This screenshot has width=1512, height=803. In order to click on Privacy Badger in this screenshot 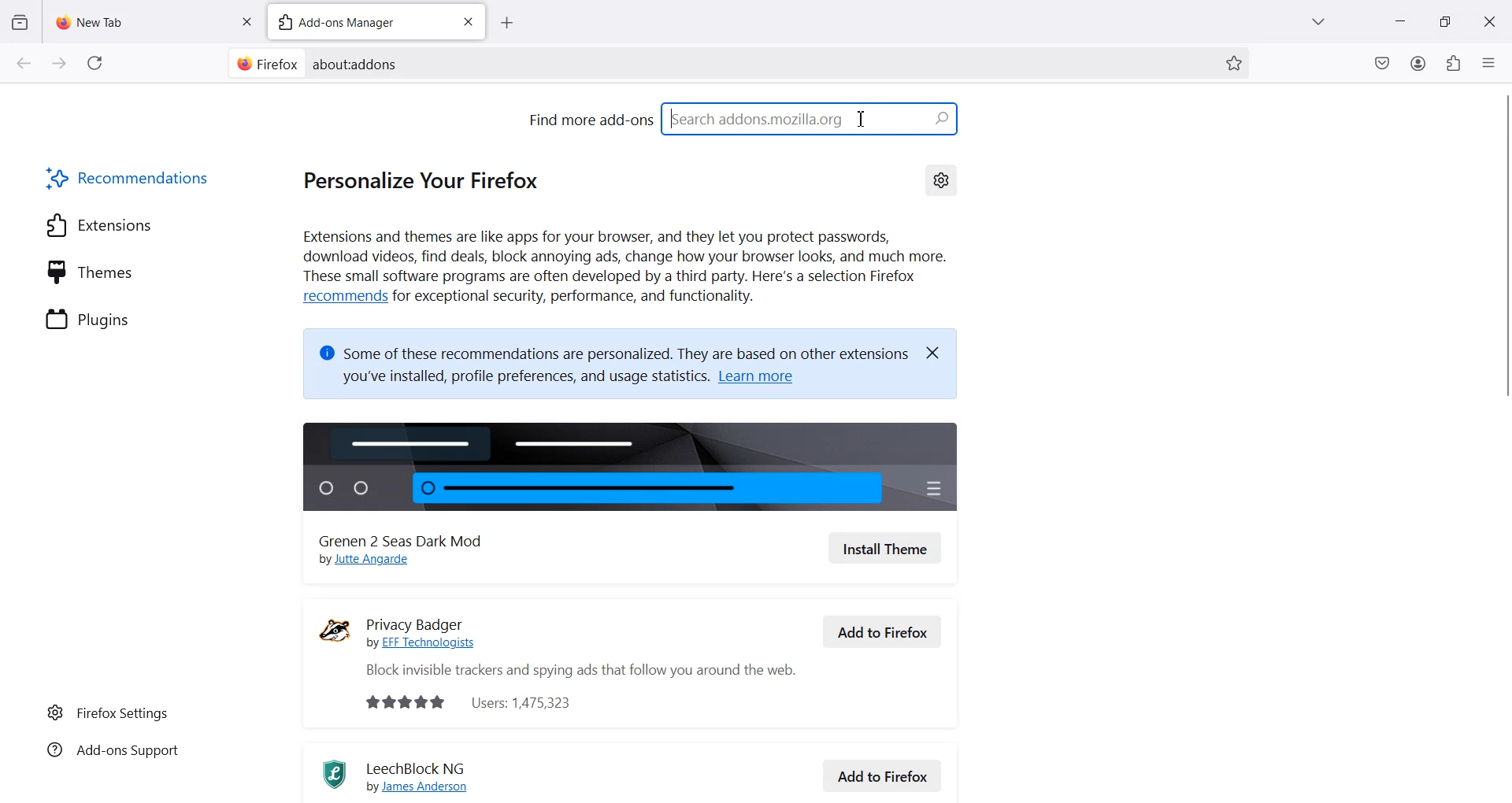, I will do `click(433, 617)`.